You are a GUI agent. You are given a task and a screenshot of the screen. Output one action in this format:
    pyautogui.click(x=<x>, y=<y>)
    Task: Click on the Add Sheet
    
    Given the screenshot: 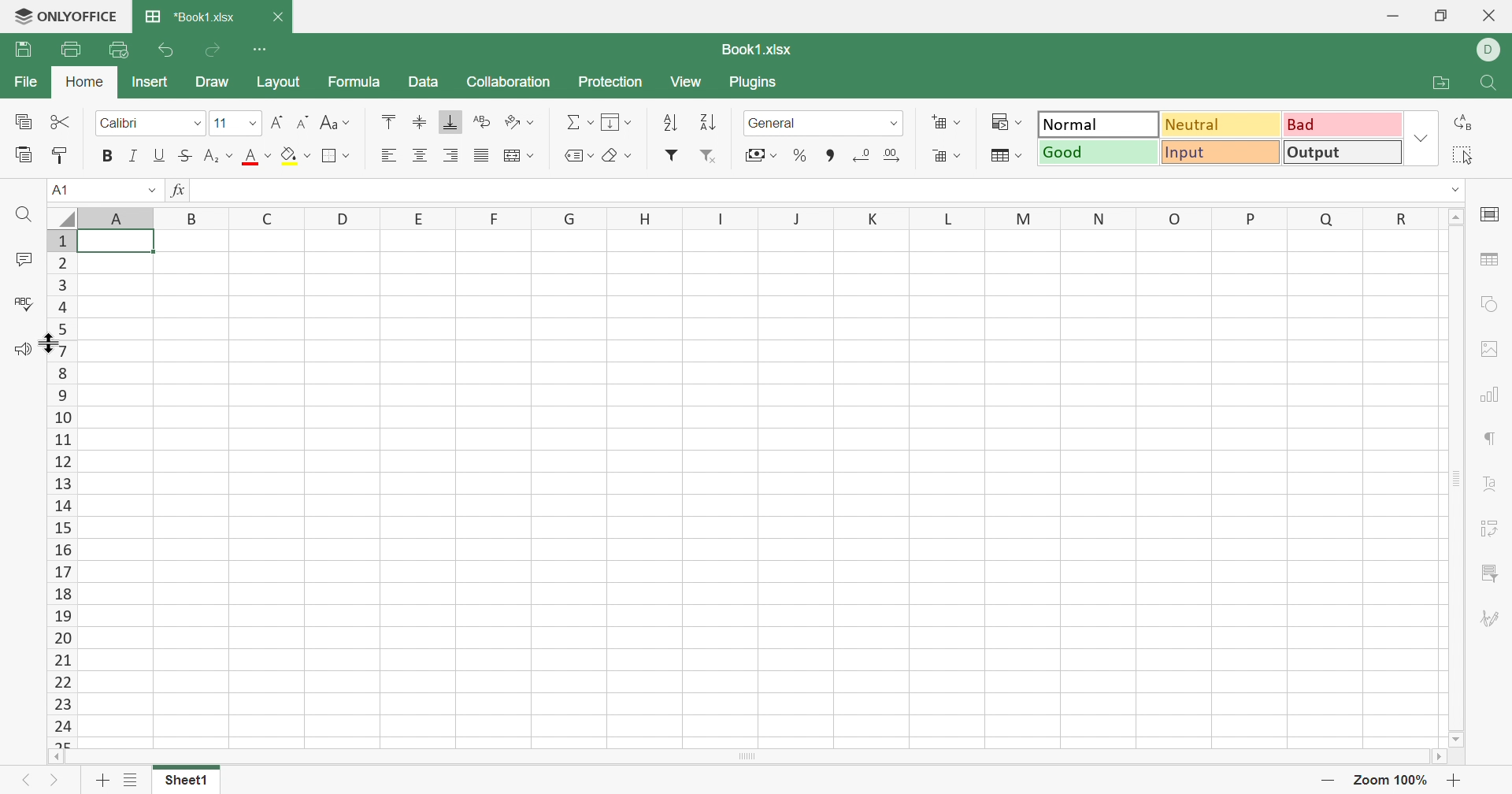 What is the action you would take?
    pyautogui.click(x=102, y=781)
    